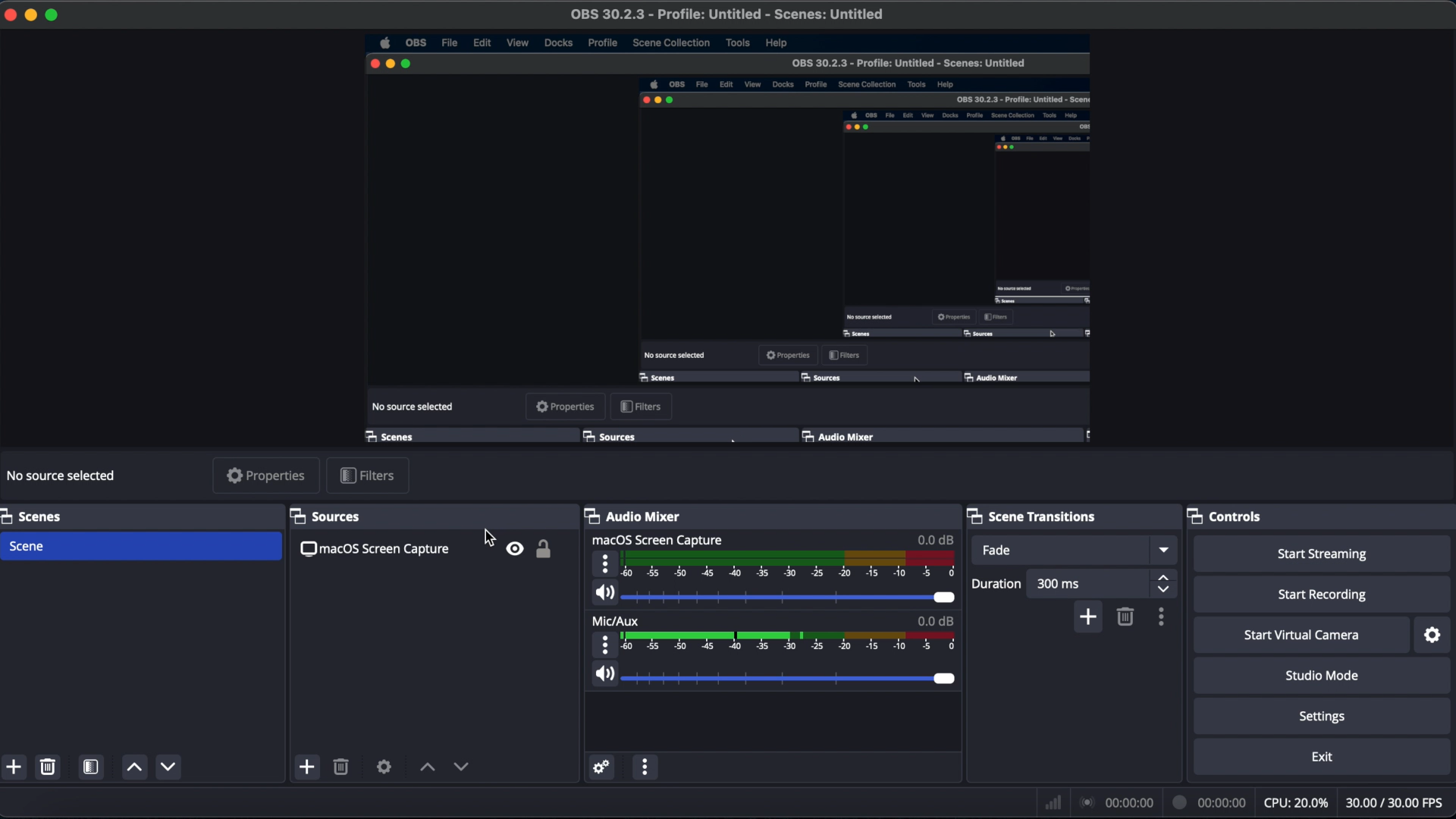  Describe the element at coordinates (341, 767) in the screenshot. I see `remove source` at that location.